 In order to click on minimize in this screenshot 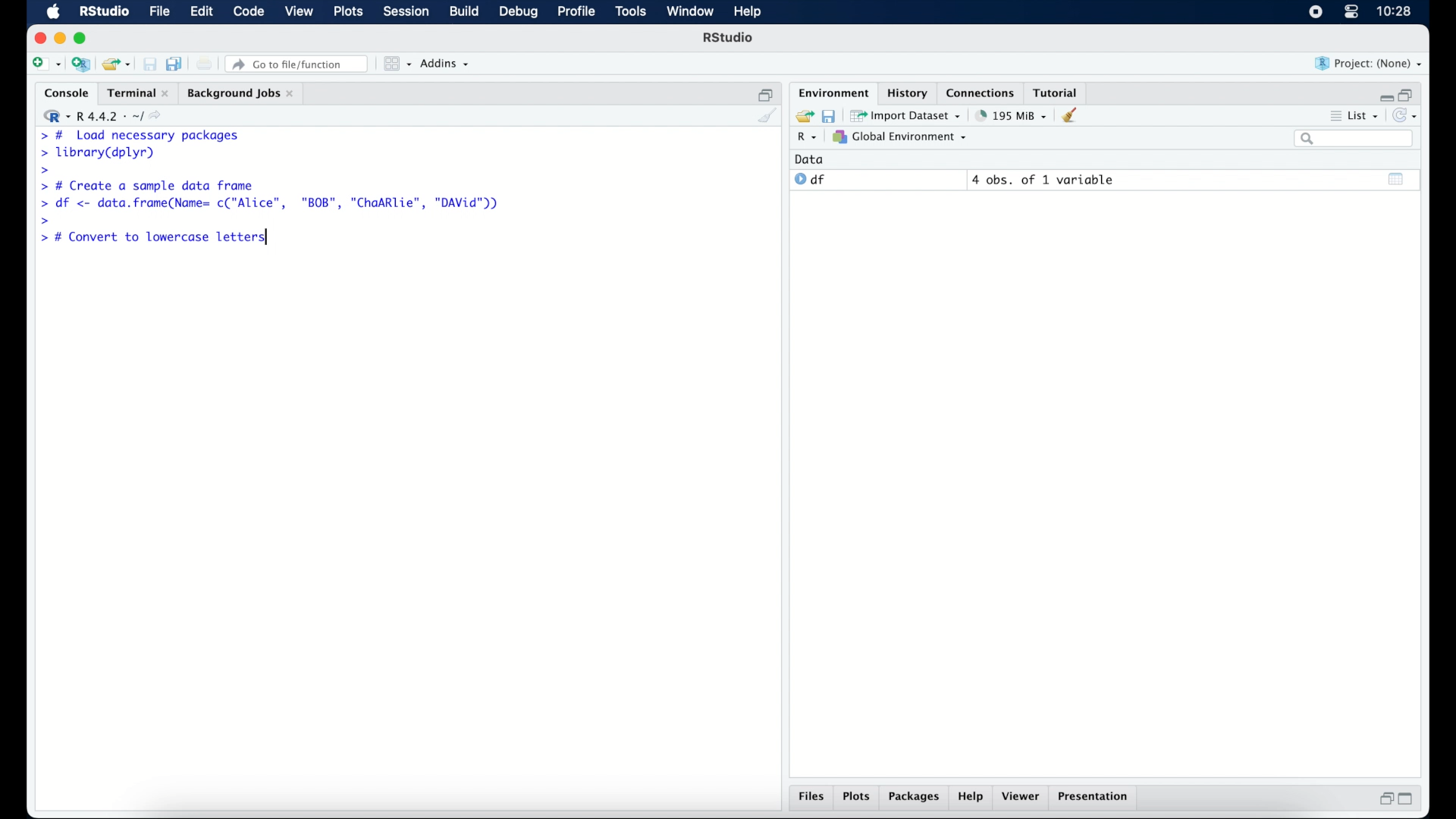, I will do `click(60, 38)`.